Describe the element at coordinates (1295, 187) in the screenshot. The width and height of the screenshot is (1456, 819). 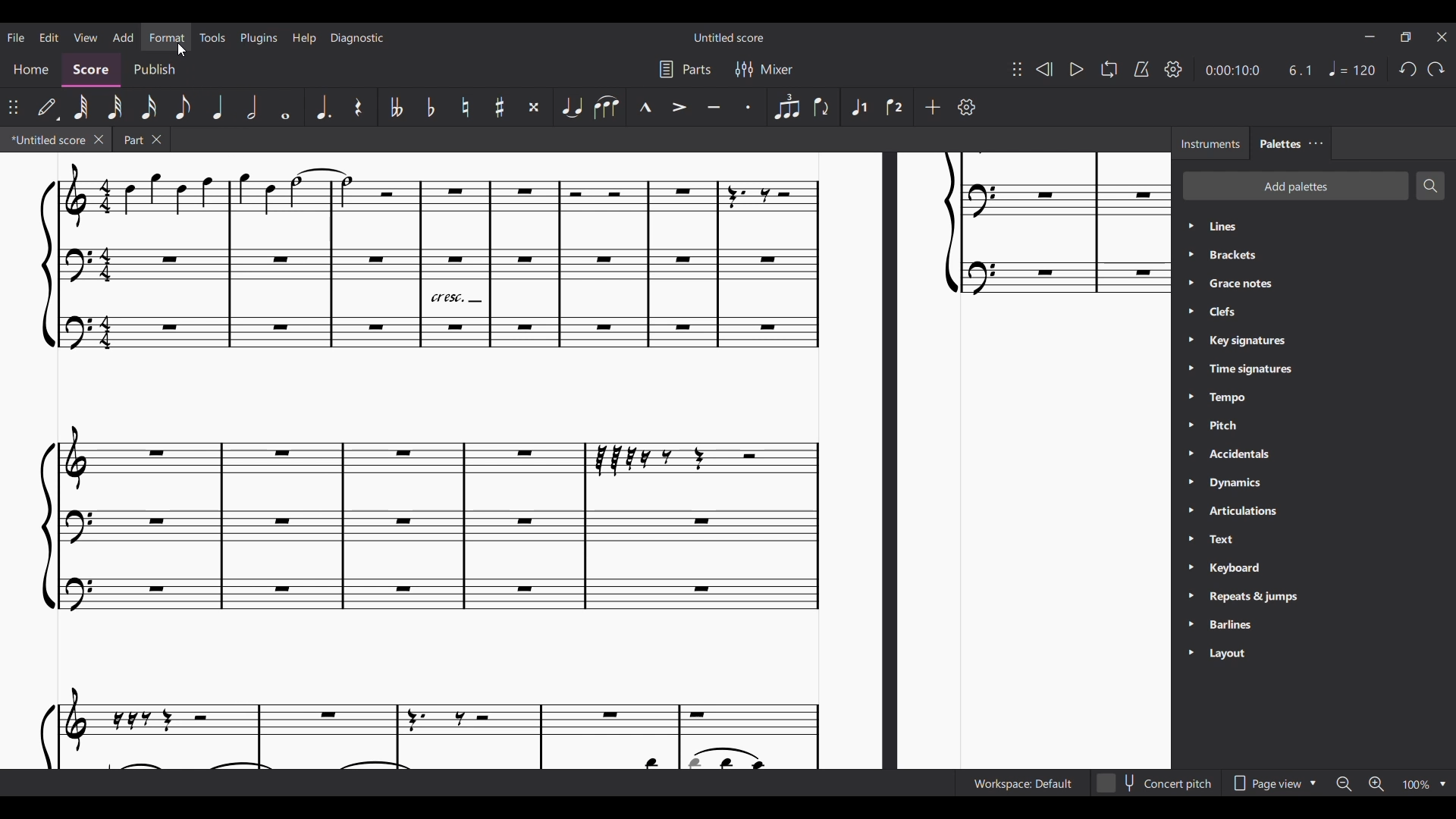
I see `Add palette` at that location.